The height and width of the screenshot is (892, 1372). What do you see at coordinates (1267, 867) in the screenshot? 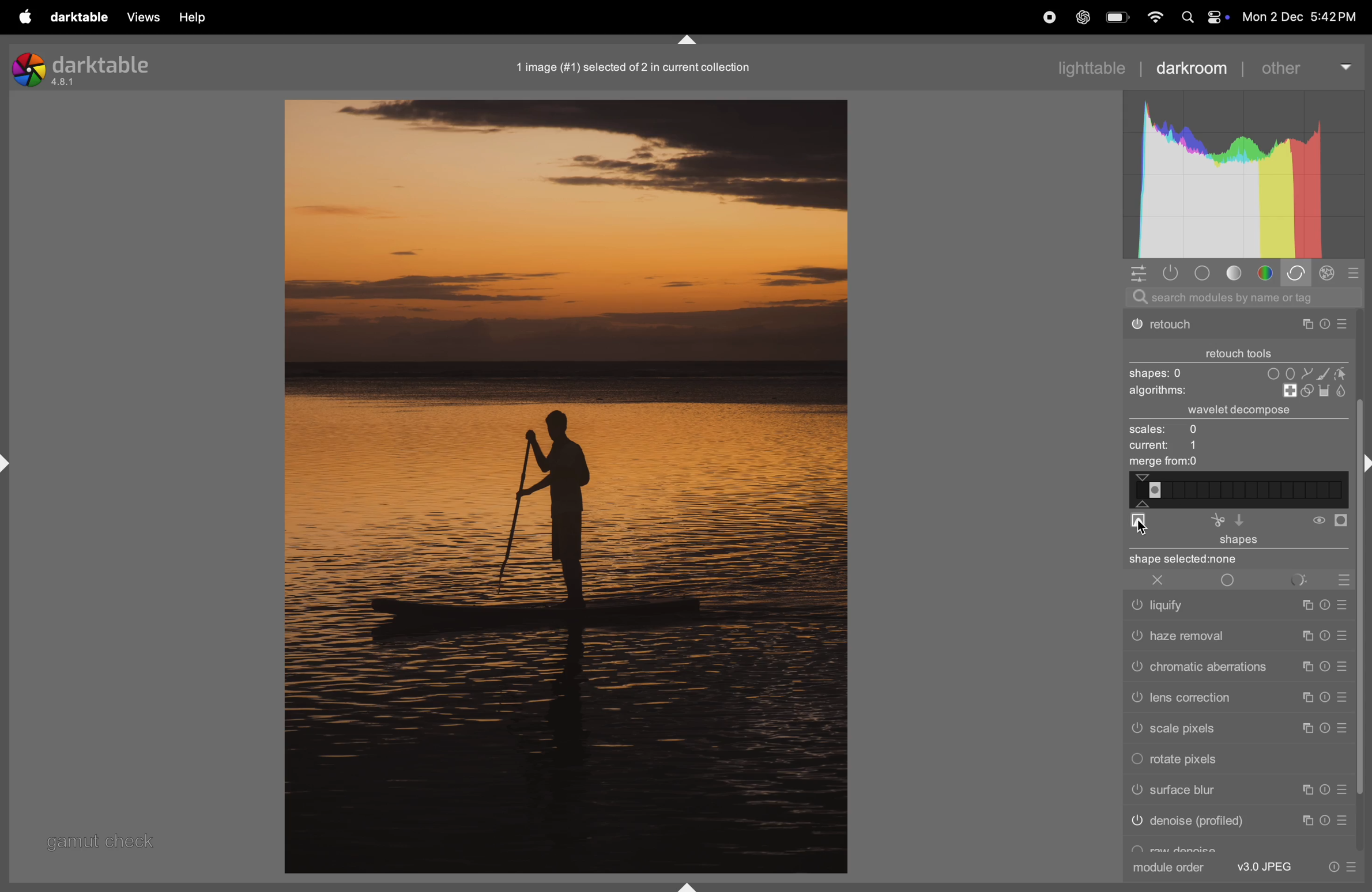
I see `v3 jpeg` at bounding box center [1267, 867].